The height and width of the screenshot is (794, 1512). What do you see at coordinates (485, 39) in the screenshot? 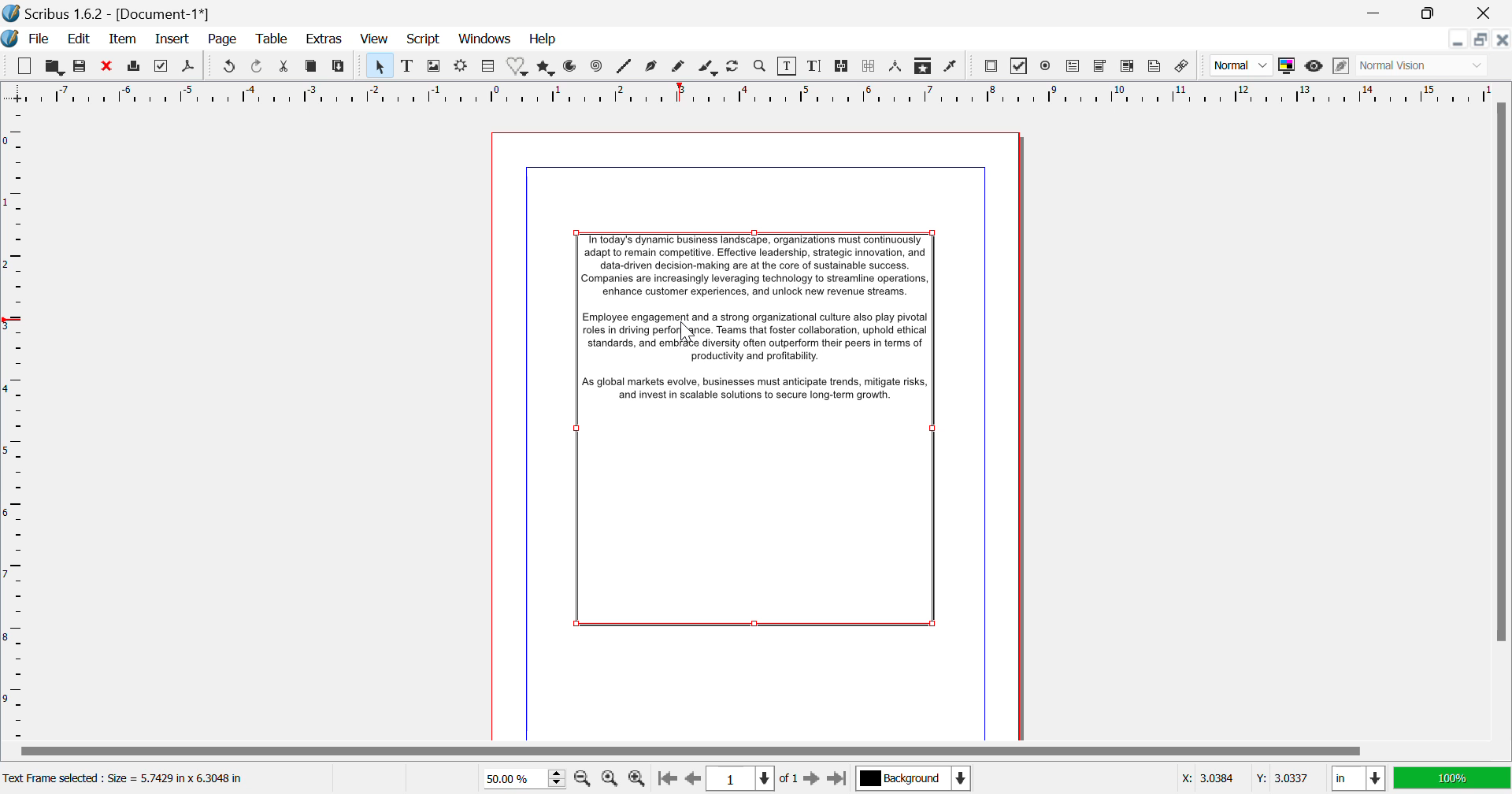
I see `Windows` at bounding box center [485, 39].